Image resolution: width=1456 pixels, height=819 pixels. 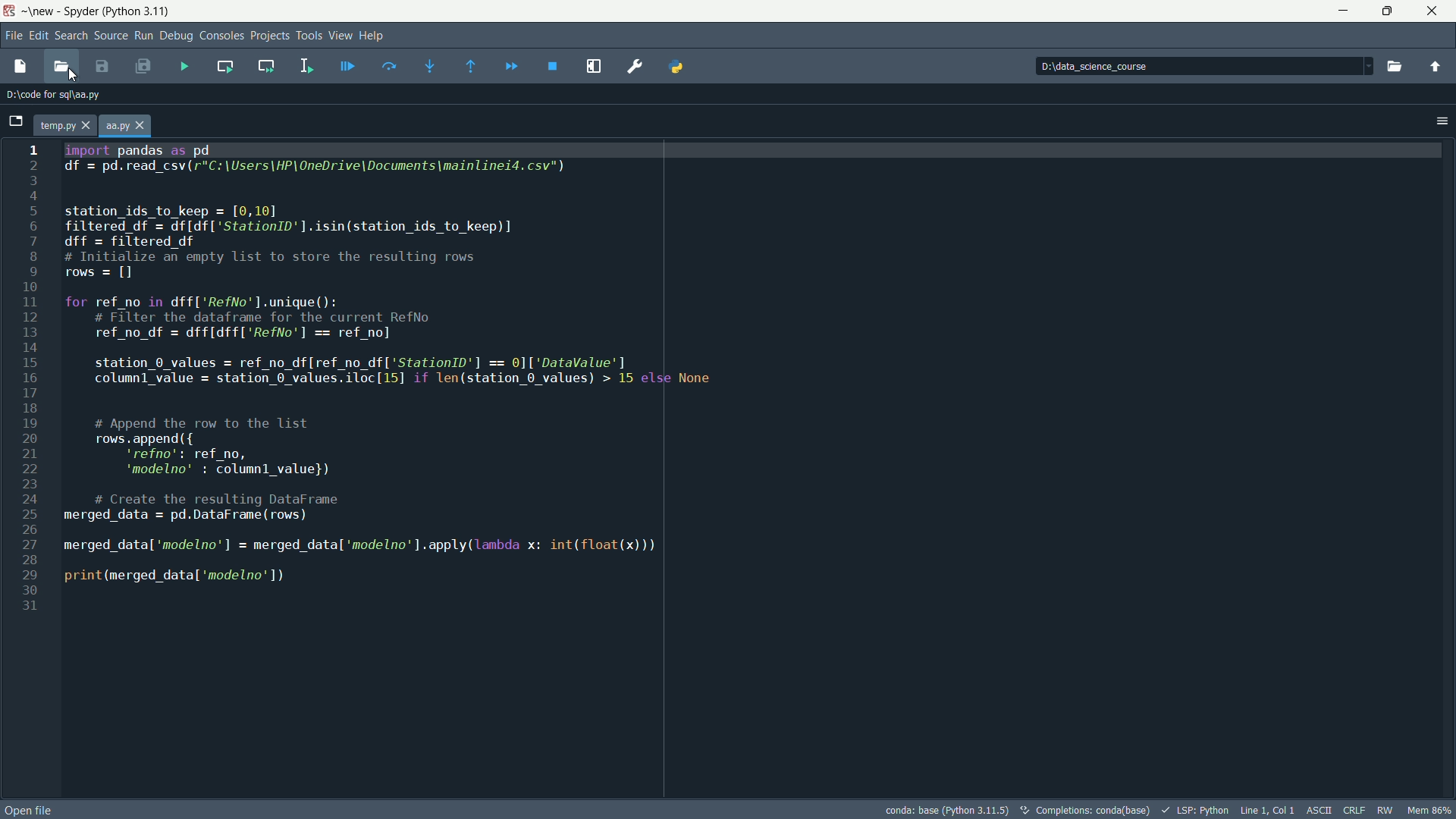 What do you see at coordinates (144, 36) in the screenshot?
I see `Run menu` at bounding box center [144, 36].